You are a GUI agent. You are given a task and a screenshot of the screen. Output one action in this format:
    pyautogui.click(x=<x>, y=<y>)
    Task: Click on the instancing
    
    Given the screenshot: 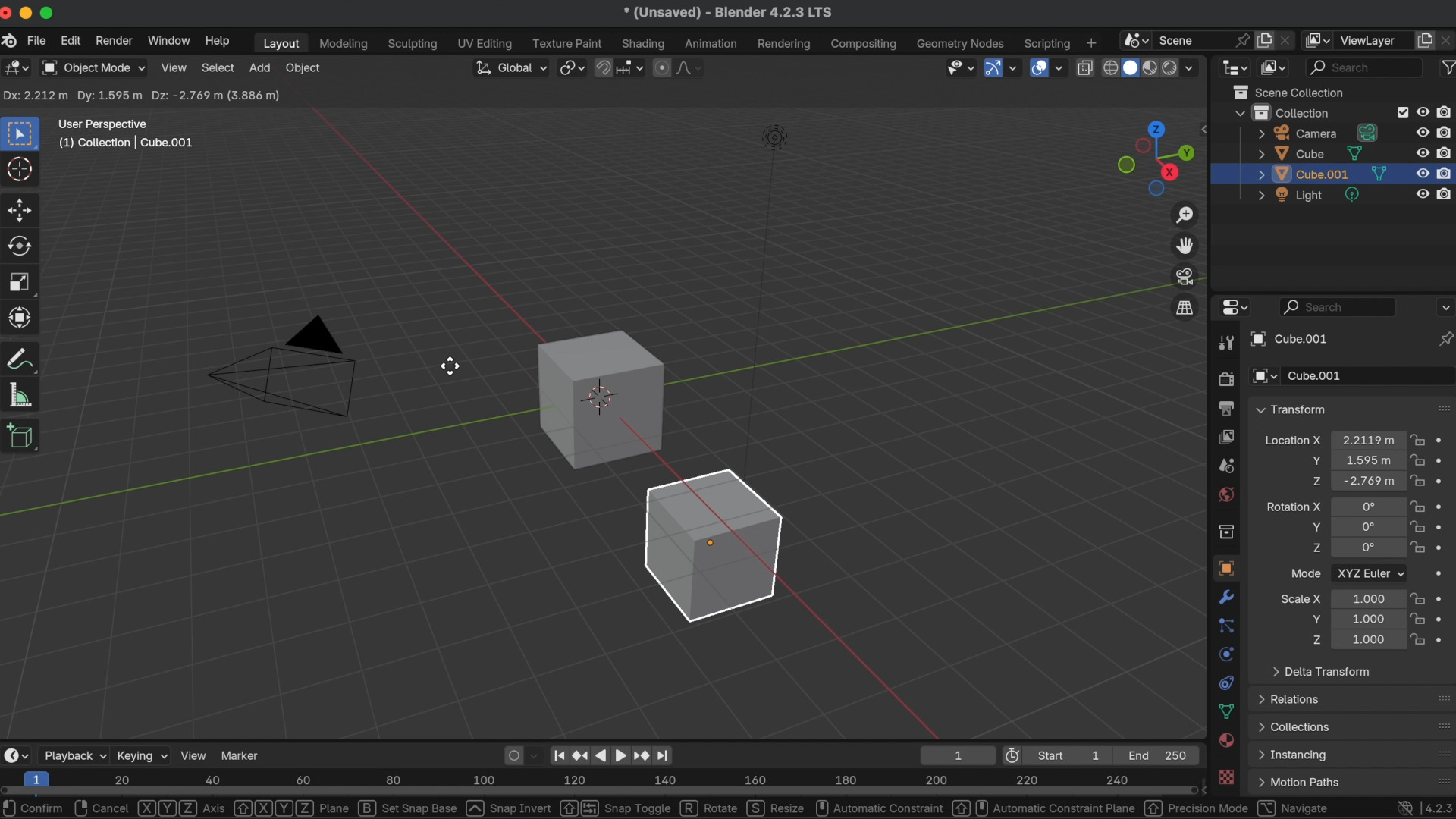 What is the action you would take?
    pyautogui.click(x=1296, y=755)
    